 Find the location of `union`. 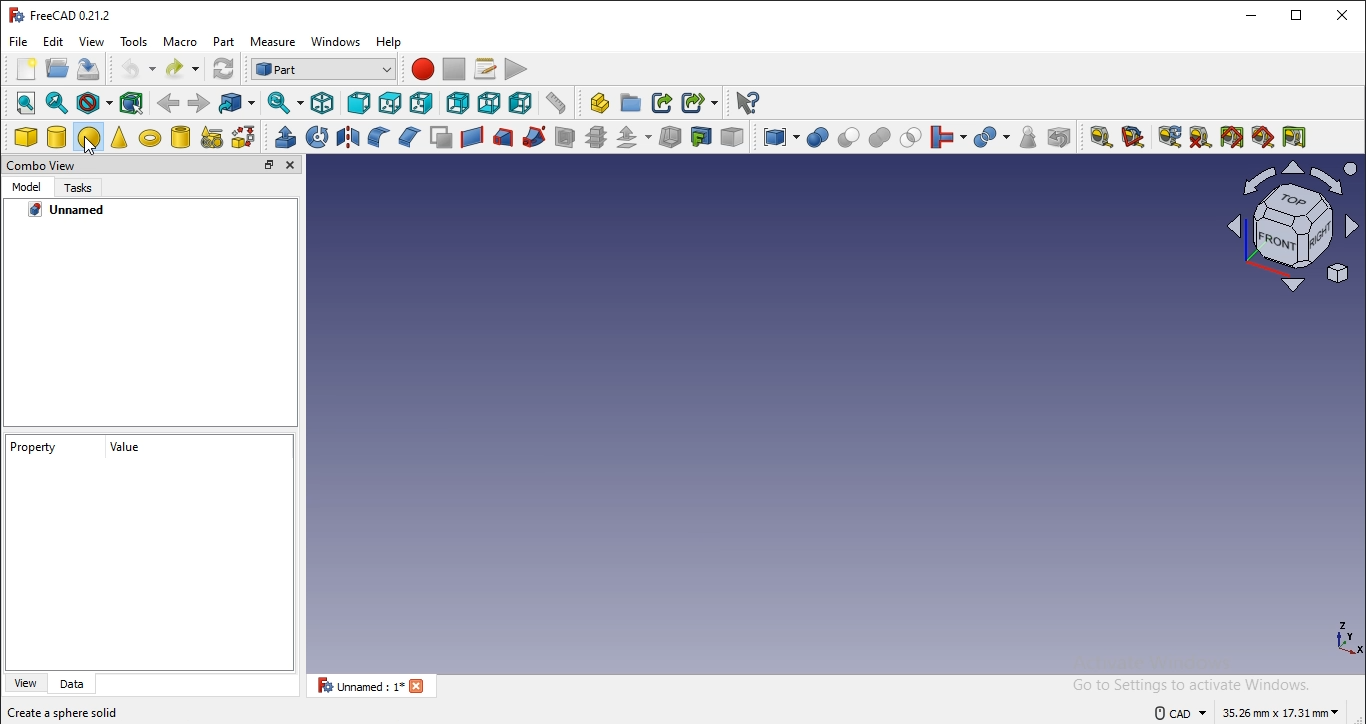

union is located at coordinates (882, 138).